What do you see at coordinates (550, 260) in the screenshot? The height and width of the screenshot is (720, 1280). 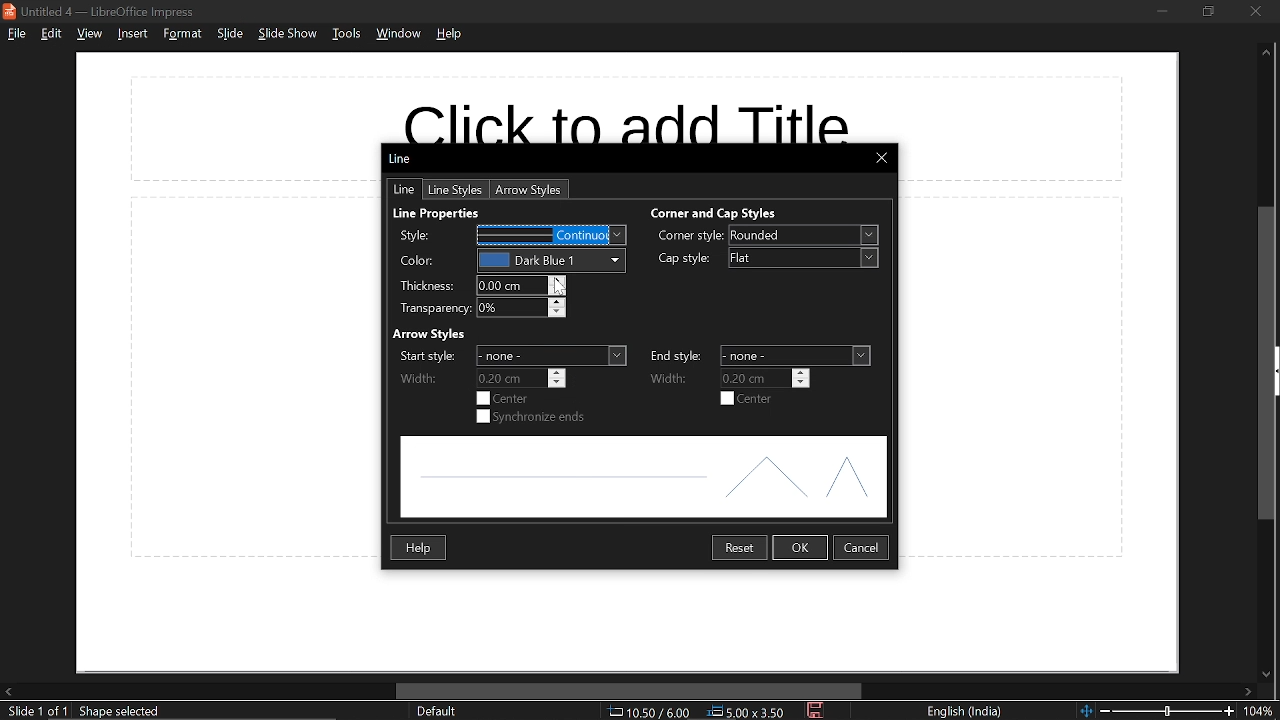 I see `color` at bounding box center [550, 260].